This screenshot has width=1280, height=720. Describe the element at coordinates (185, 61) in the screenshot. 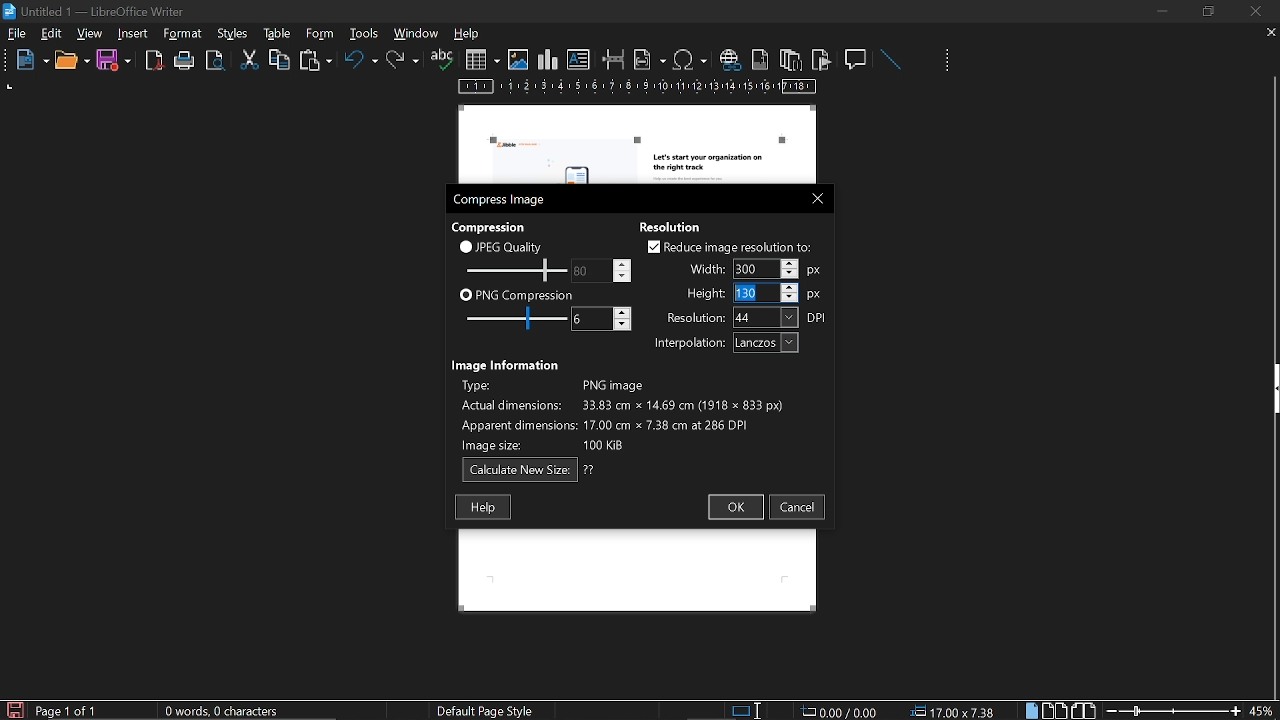

I see `print` at that location.